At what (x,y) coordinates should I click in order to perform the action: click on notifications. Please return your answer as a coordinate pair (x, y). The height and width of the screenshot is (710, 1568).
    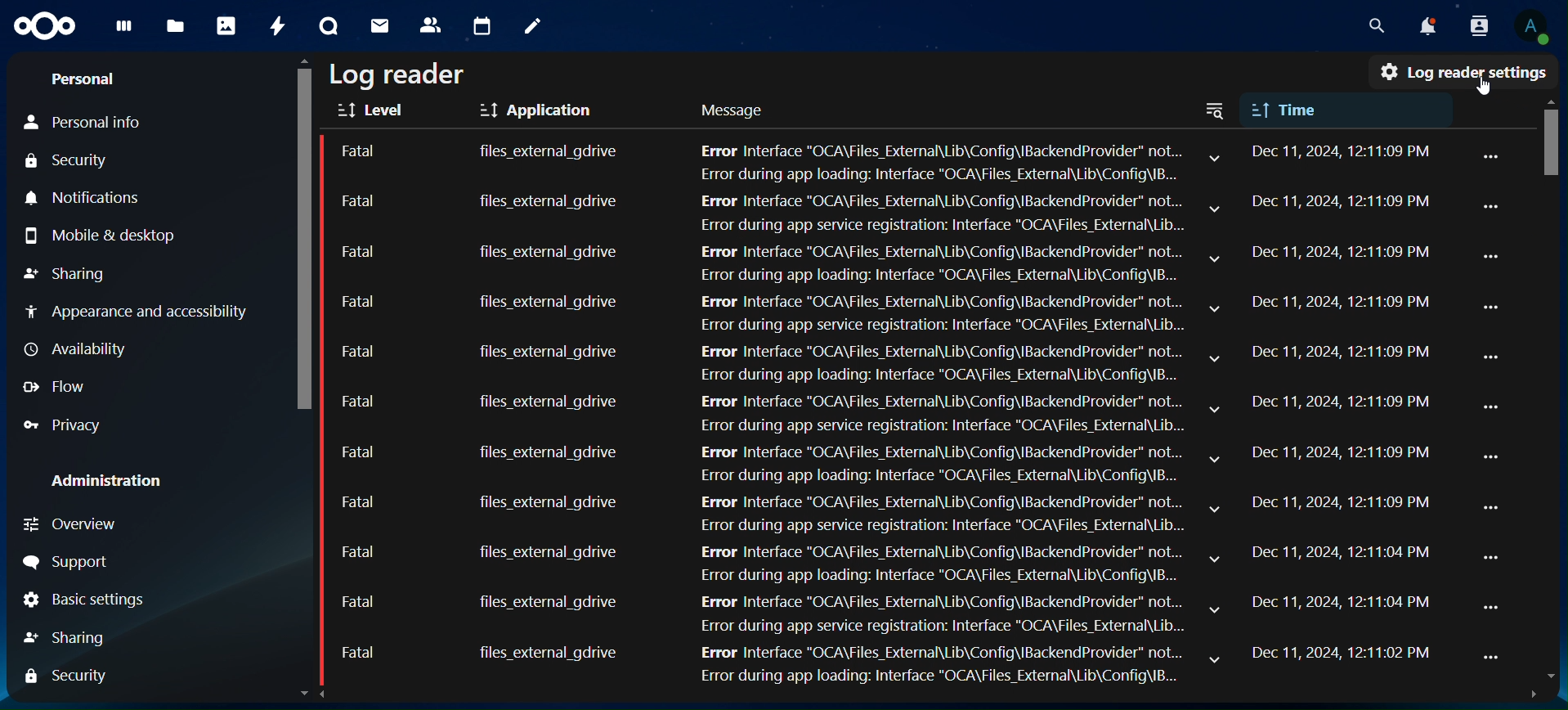
    Looking at the image, I should click on (1421, 25).